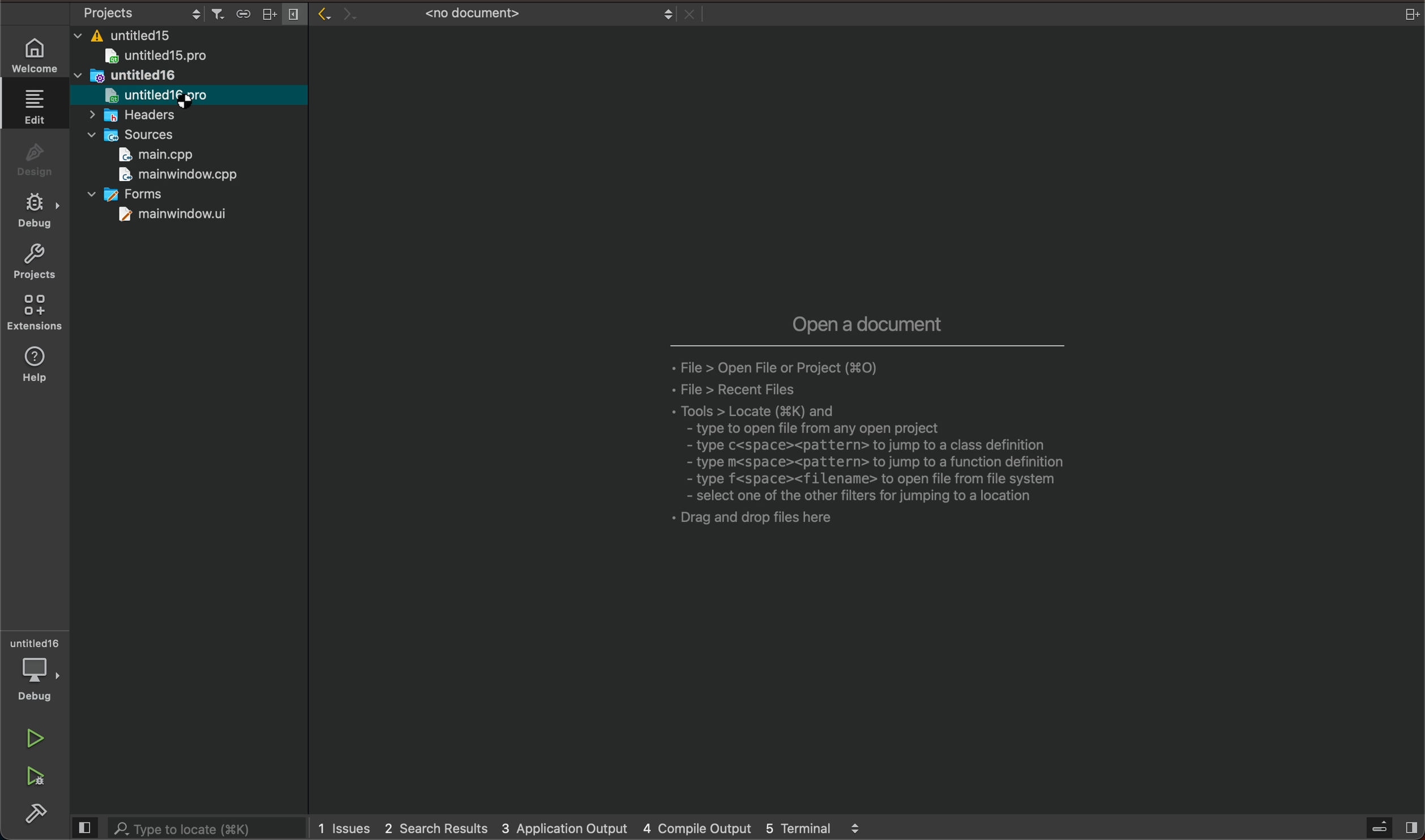 Image resolution: width=1425 pixels, height=840 pixels. What do you see at coordinates (185, 101) in the screenshot?
I see `cursor` at bounding box center [185, 101].